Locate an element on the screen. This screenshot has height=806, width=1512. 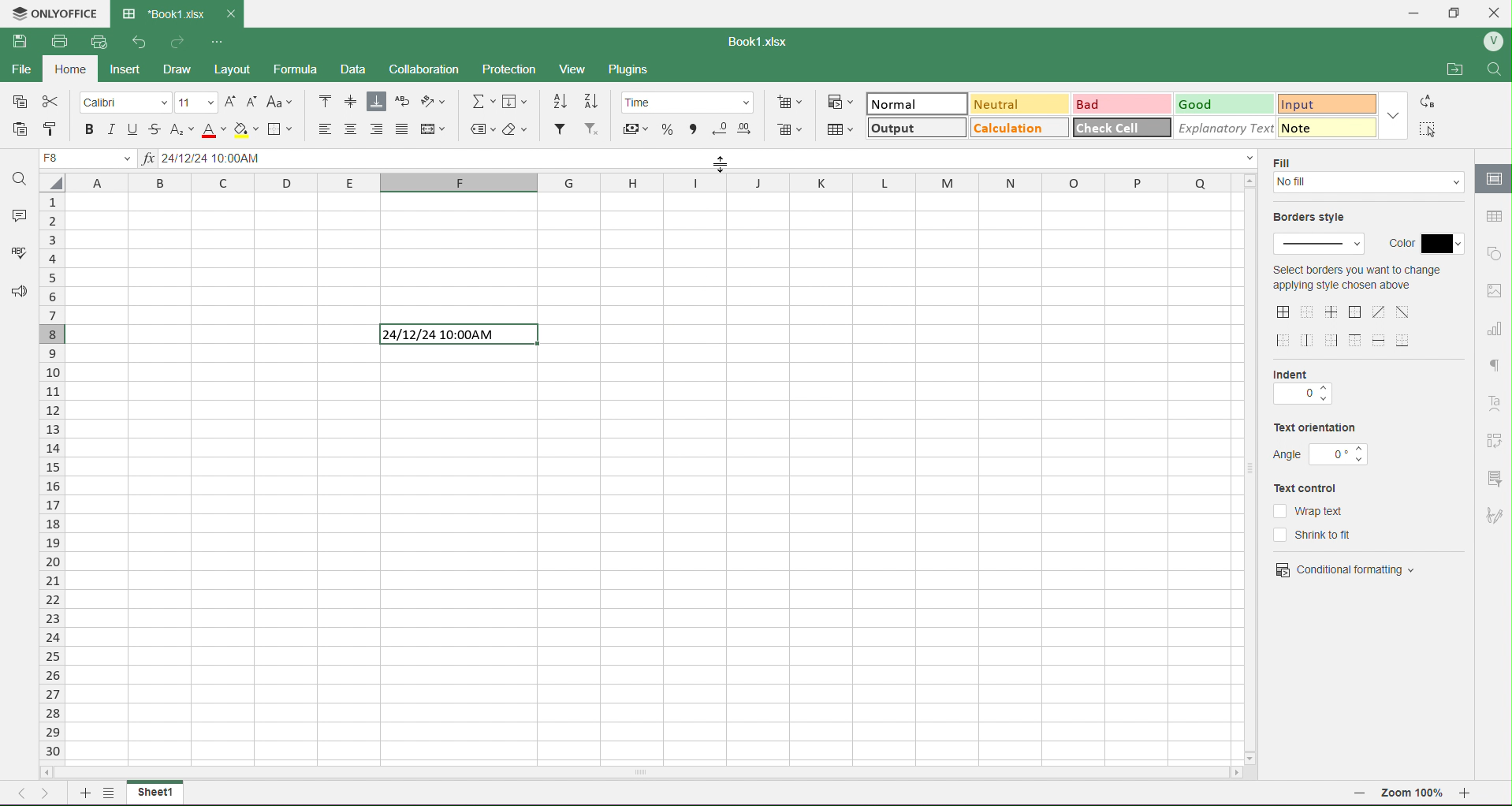
shapes is located at coordinates (1494, 252).